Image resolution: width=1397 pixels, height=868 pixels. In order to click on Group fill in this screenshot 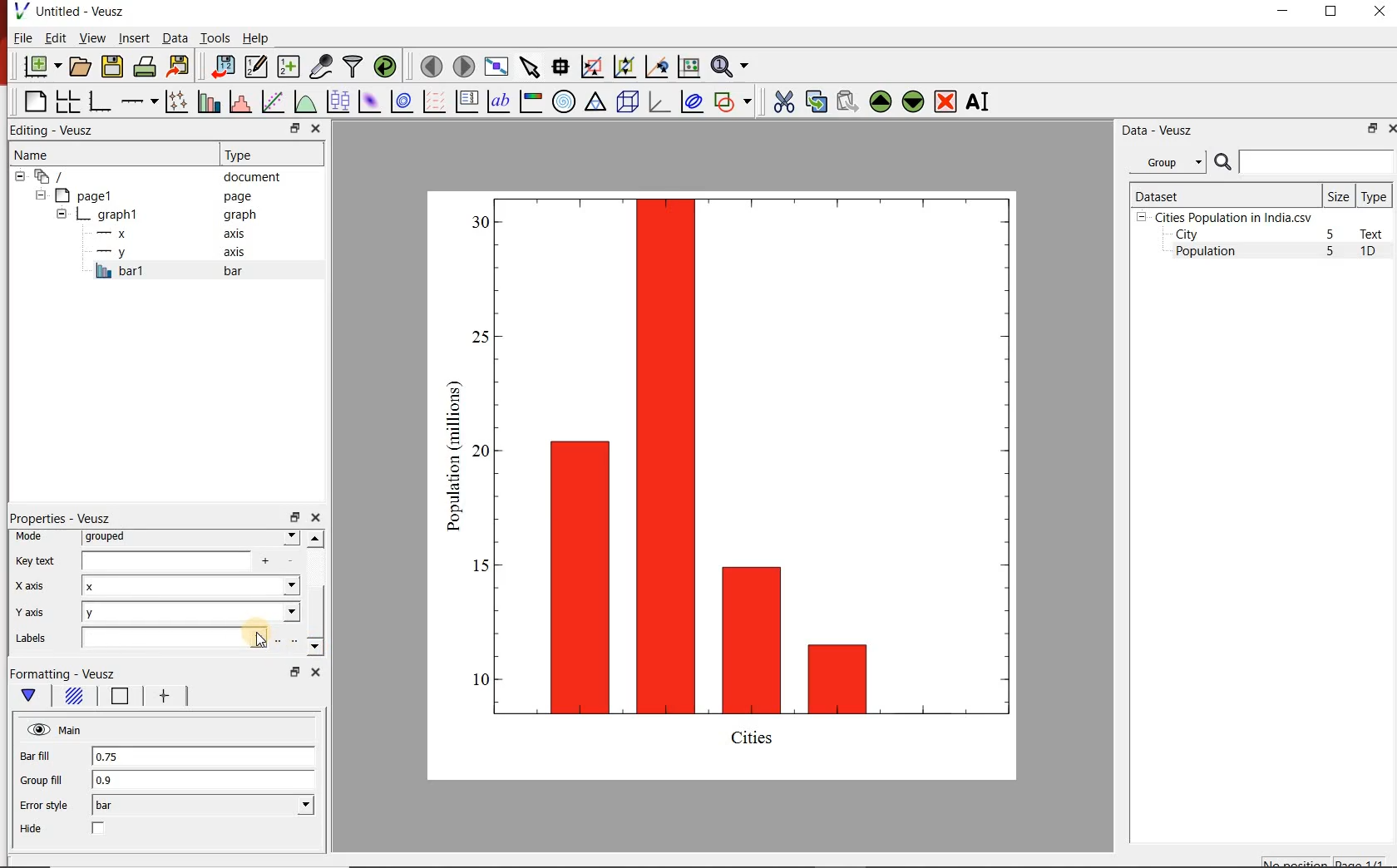, I will do `click(48, 780)`.